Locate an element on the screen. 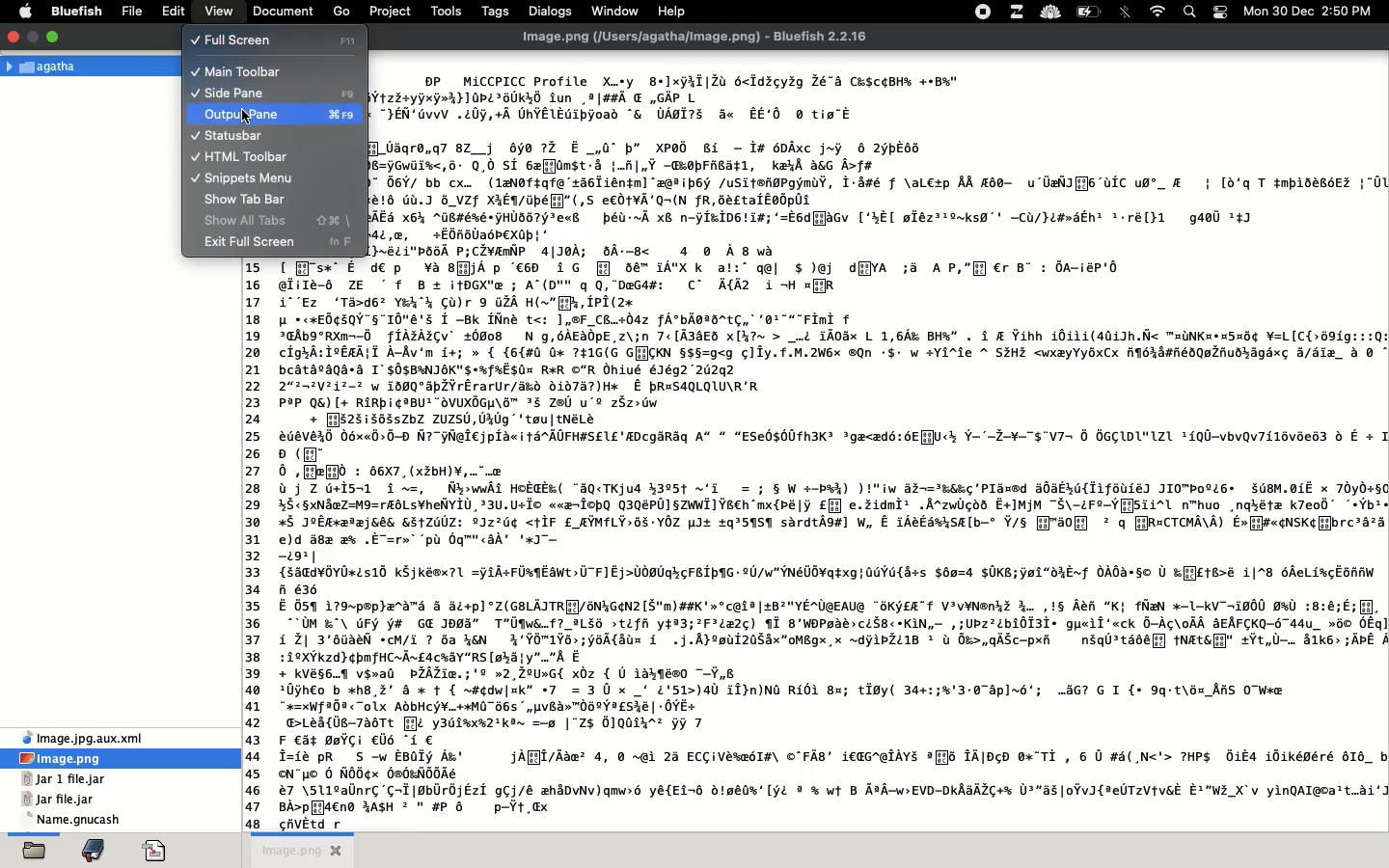 This screenshot has height=868, width=1389. project is located at coordinates (390, 12).